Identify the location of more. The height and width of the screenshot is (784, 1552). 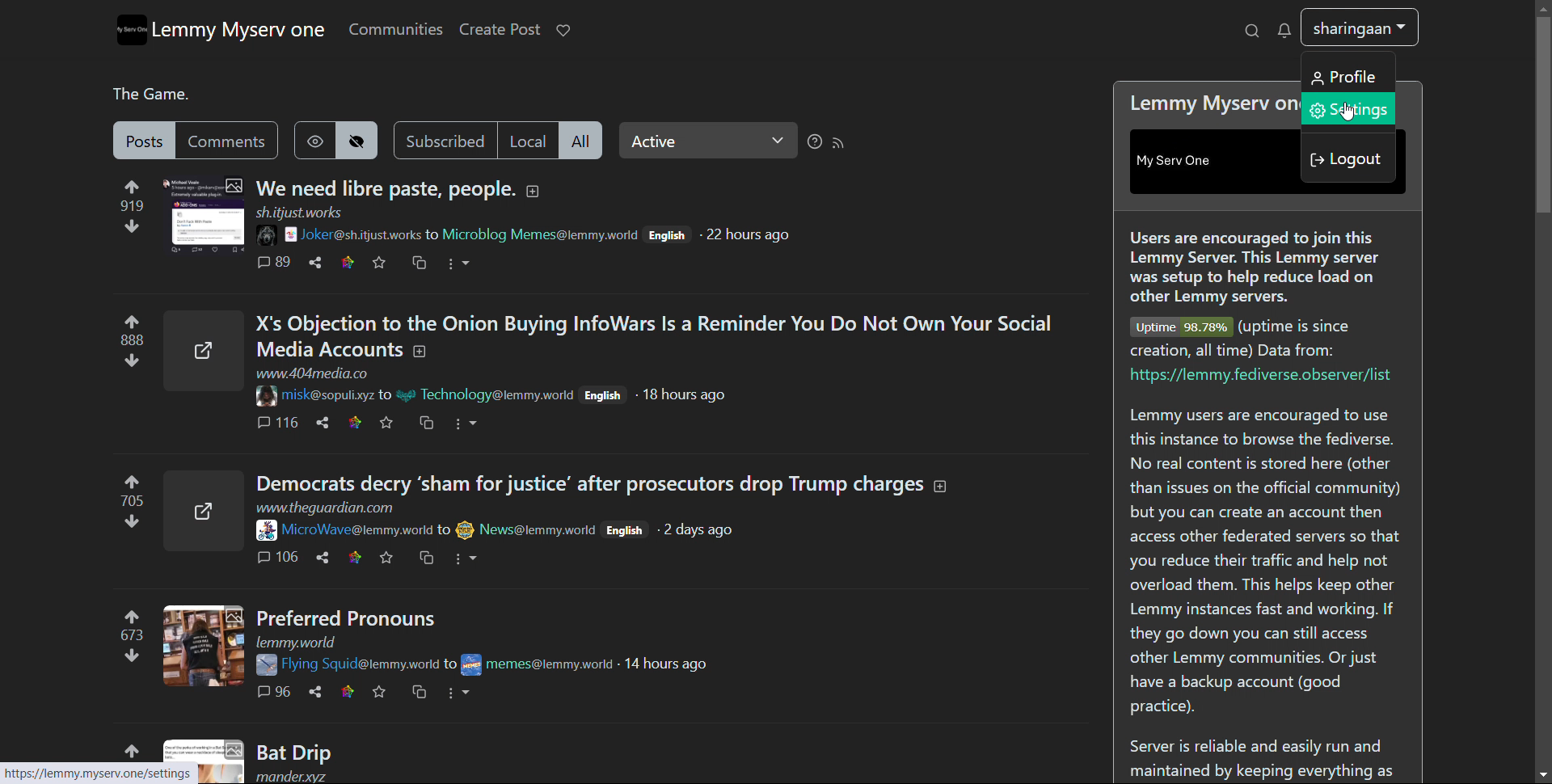
(475, 424).